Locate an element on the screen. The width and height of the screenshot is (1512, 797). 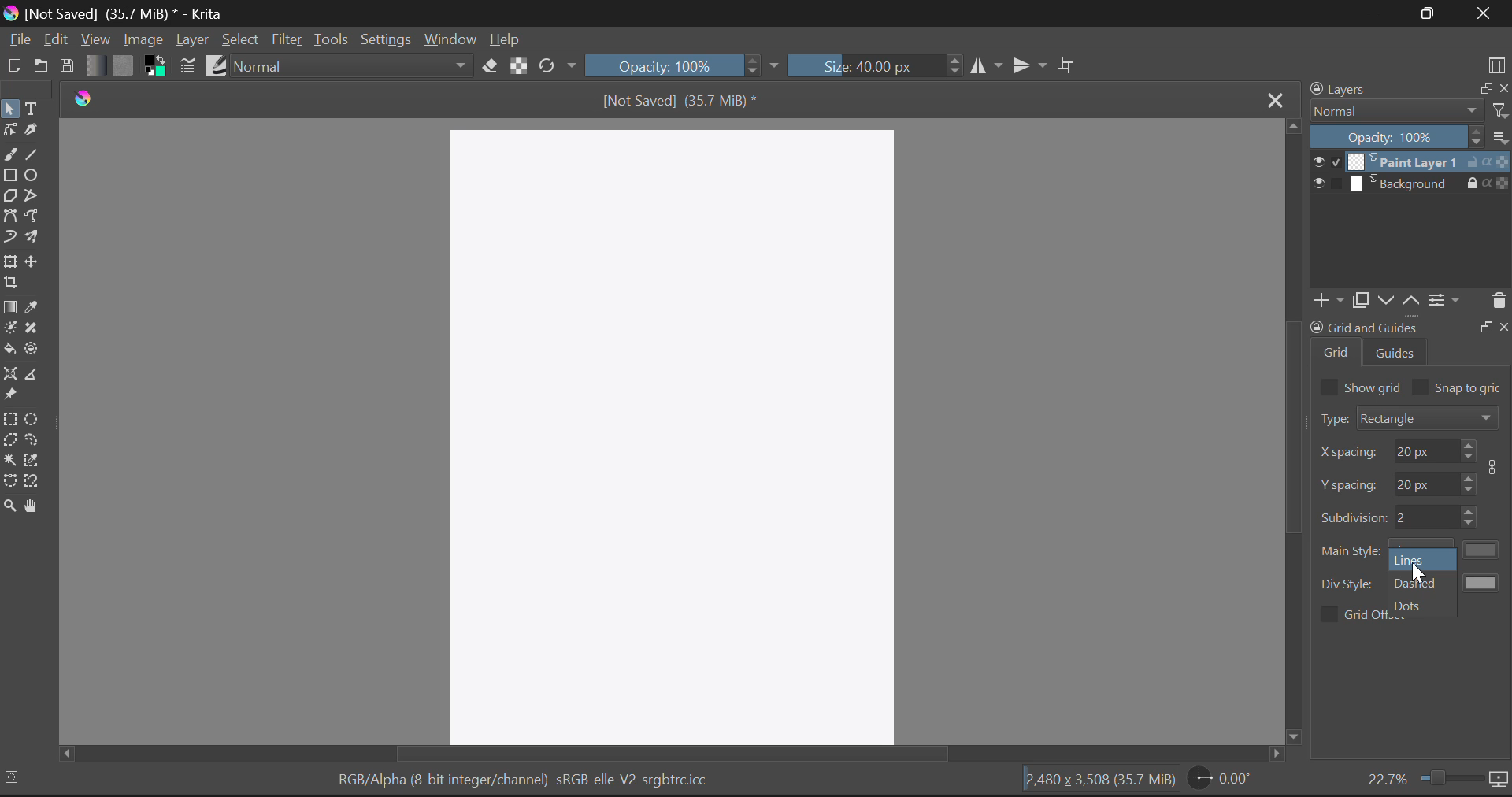
selection is located at coordinates (15, 777).